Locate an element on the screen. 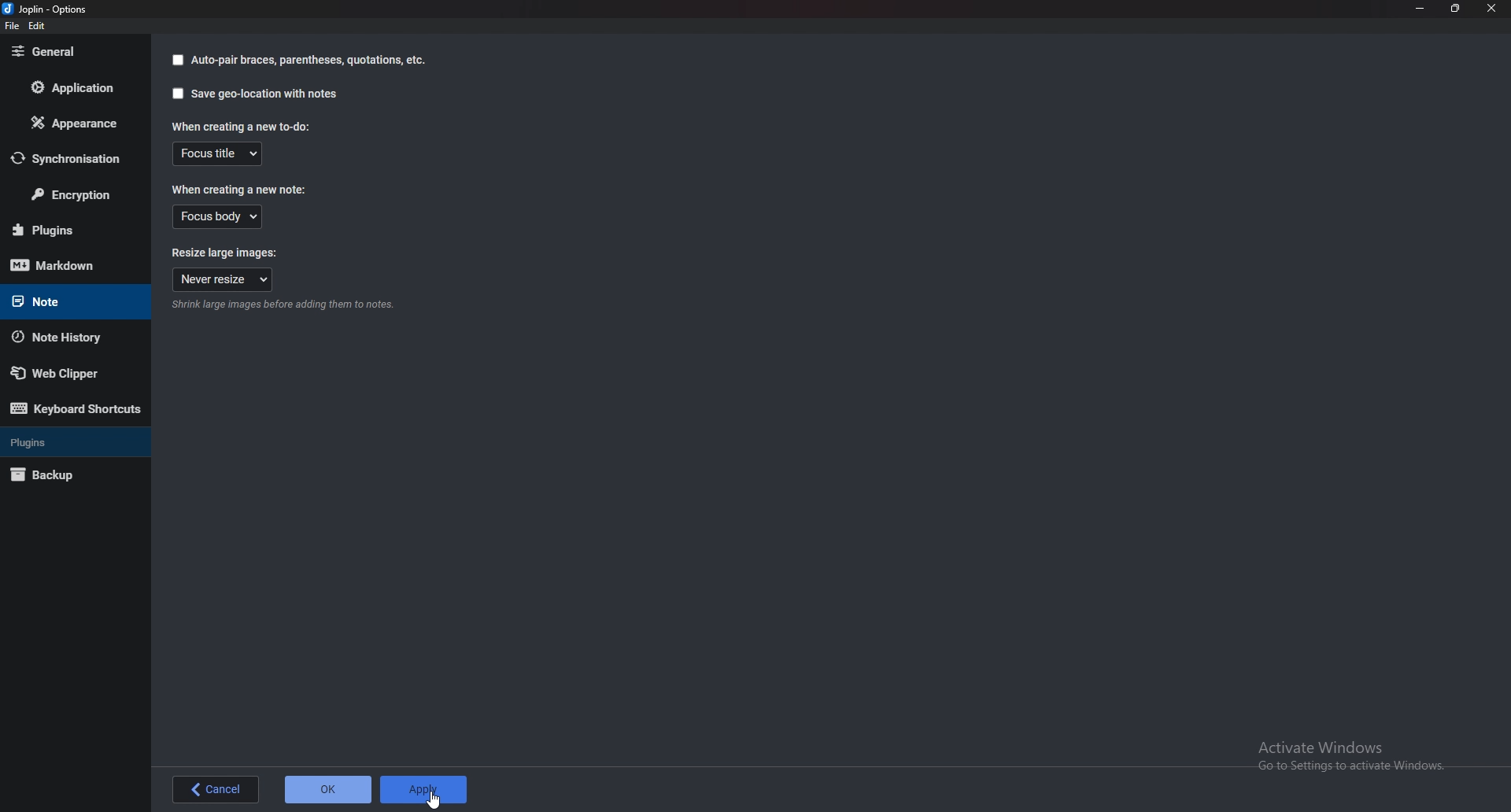  general is located at coordinates (70, 50).